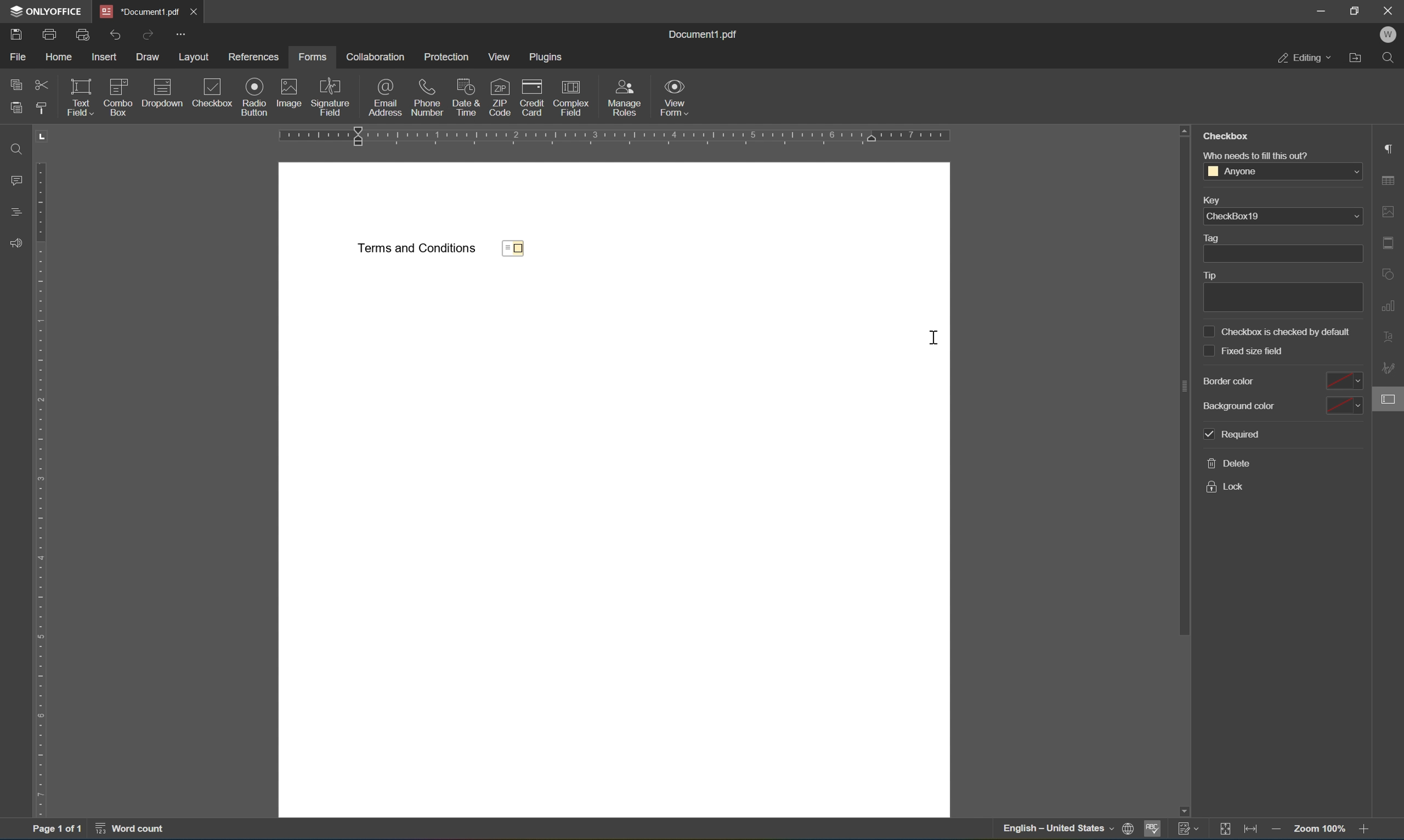 The height and width of the screenshot is (840, 1404). Describe the element at coordinates (1228, 488) in the screenshot. I see `lock` at that location.